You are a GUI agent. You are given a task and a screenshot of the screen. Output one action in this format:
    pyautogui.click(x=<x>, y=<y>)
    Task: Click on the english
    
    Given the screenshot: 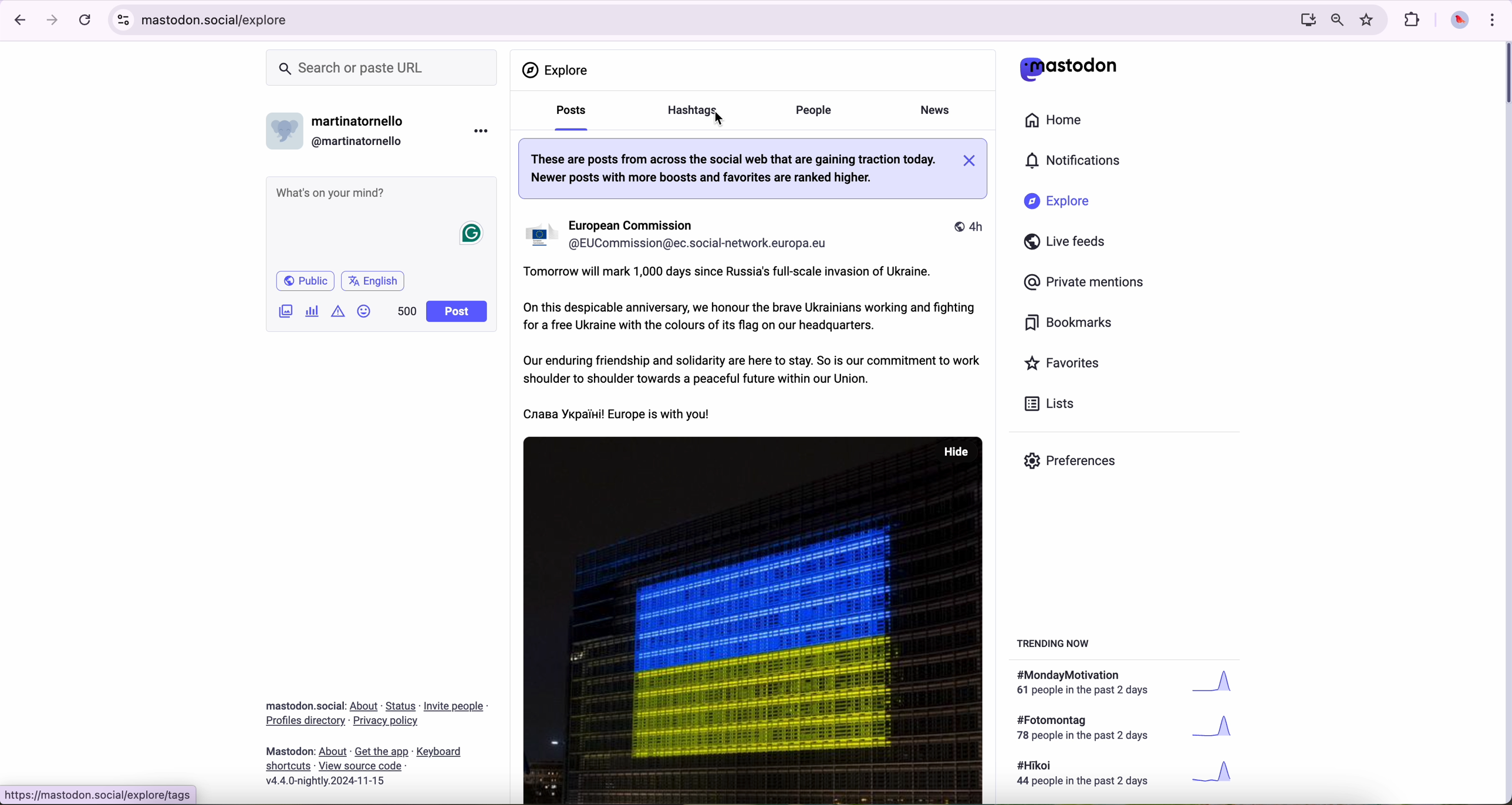 What is the action you would take?
    pyautogui.click(x=375, y=280)
    